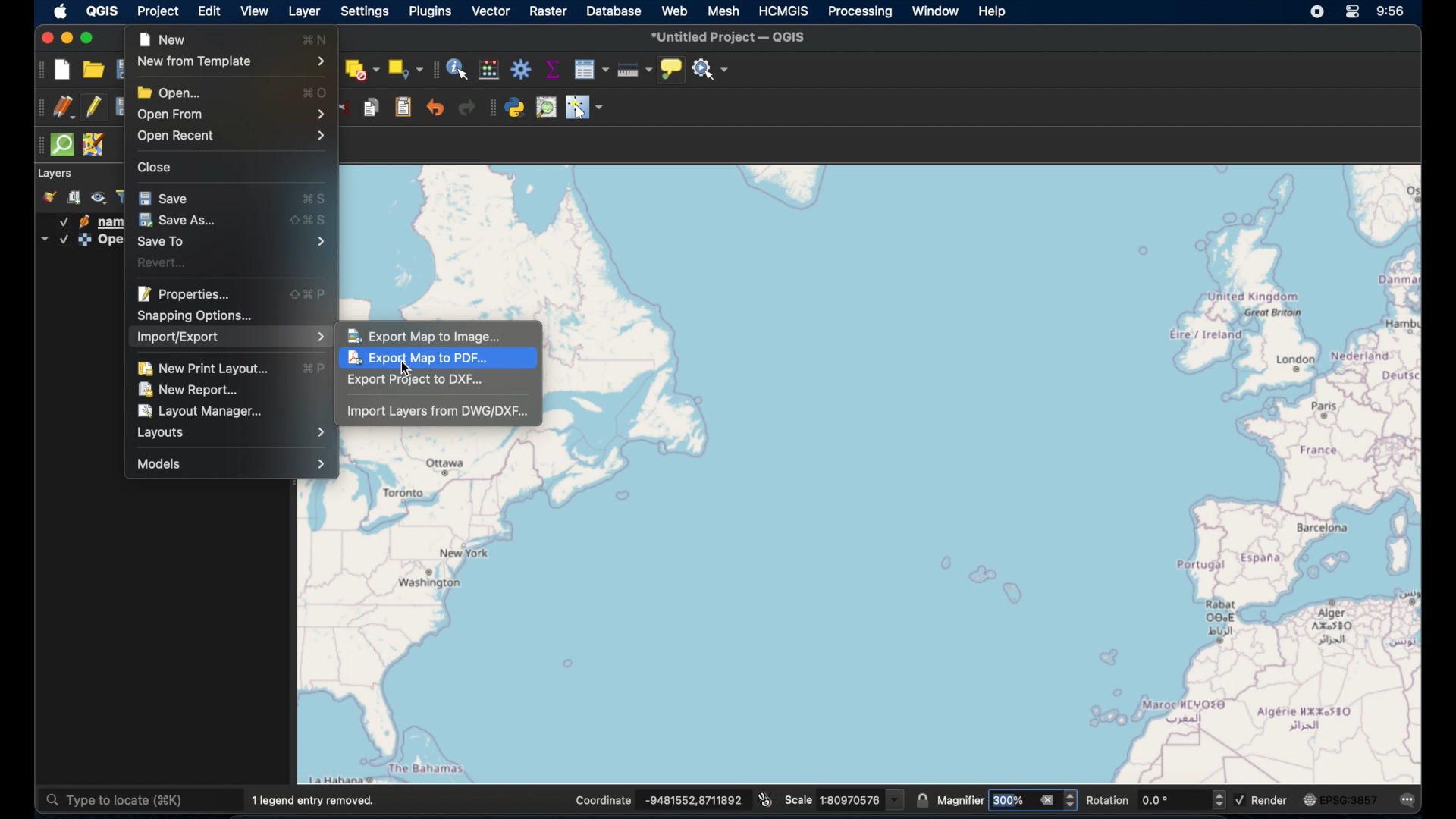 The image size is (1456, 819). What do you see at coordinates (405, 70) in the screenshot?
I see `select by location` at bounding box center [405, 70].